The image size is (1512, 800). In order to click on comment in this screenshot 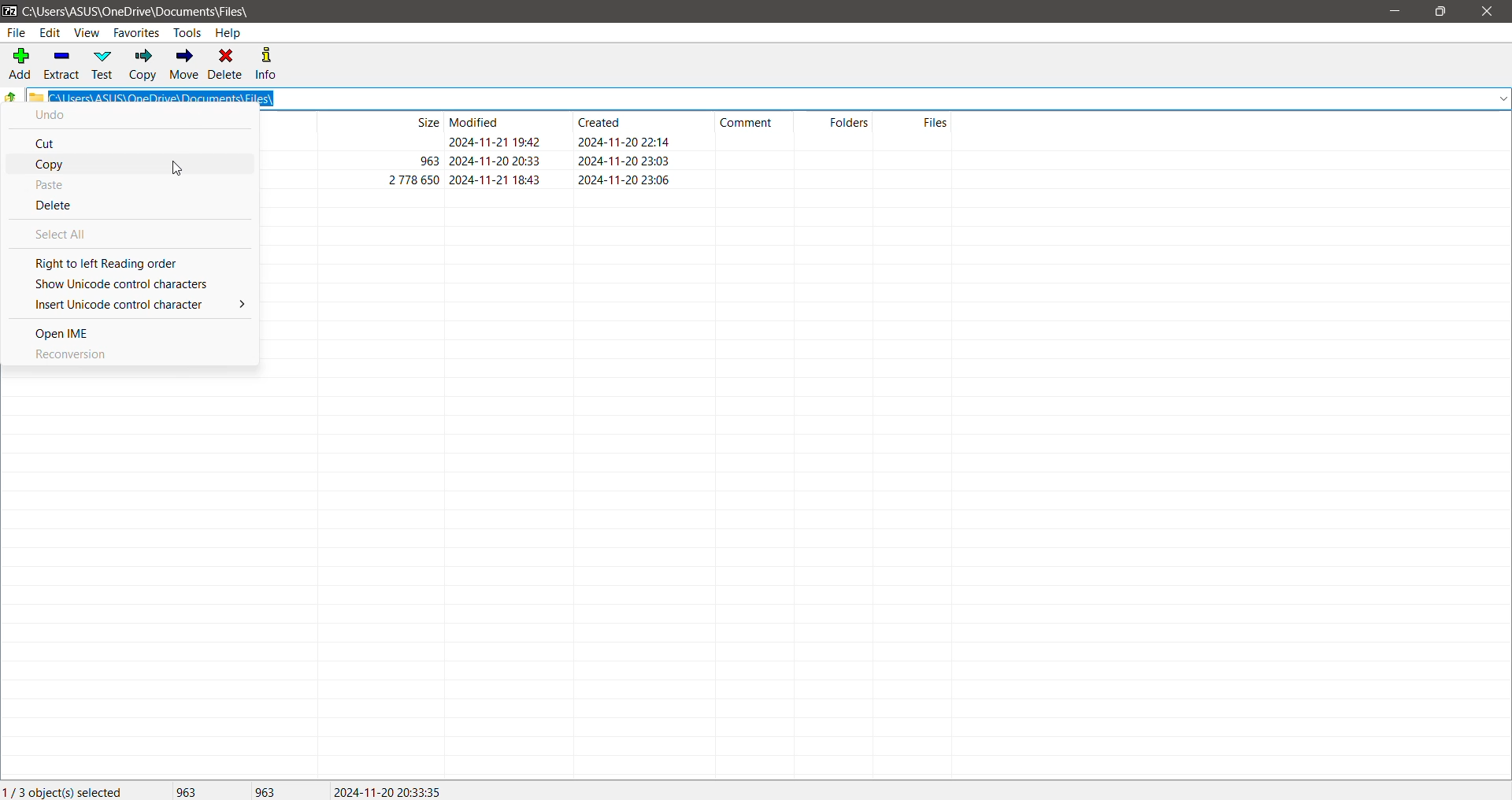, I will do `click(746, 122)`.